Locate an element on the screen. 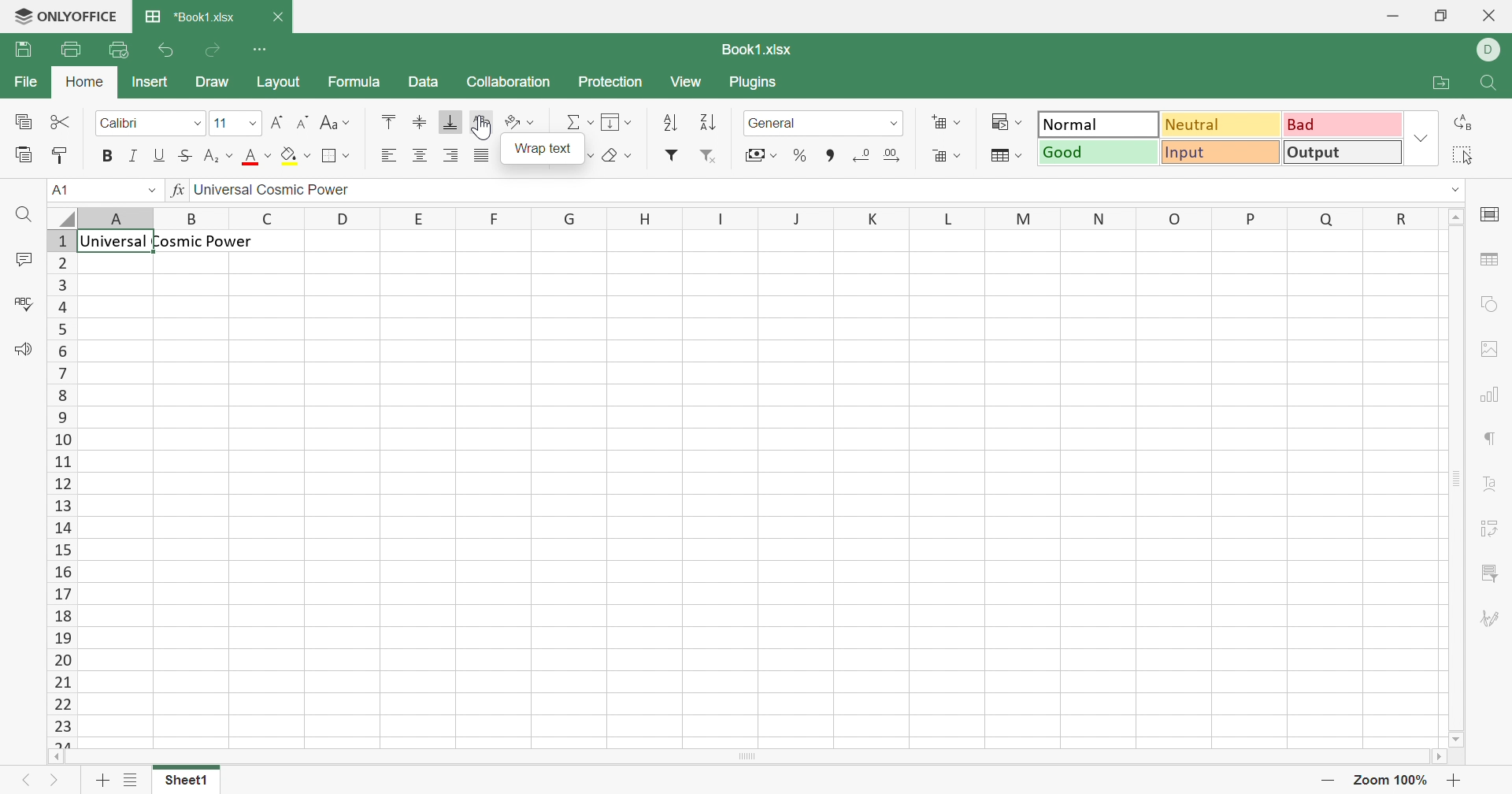 This screenshot has height=794, width=1512. Bold is located at coordinates (102, 157).